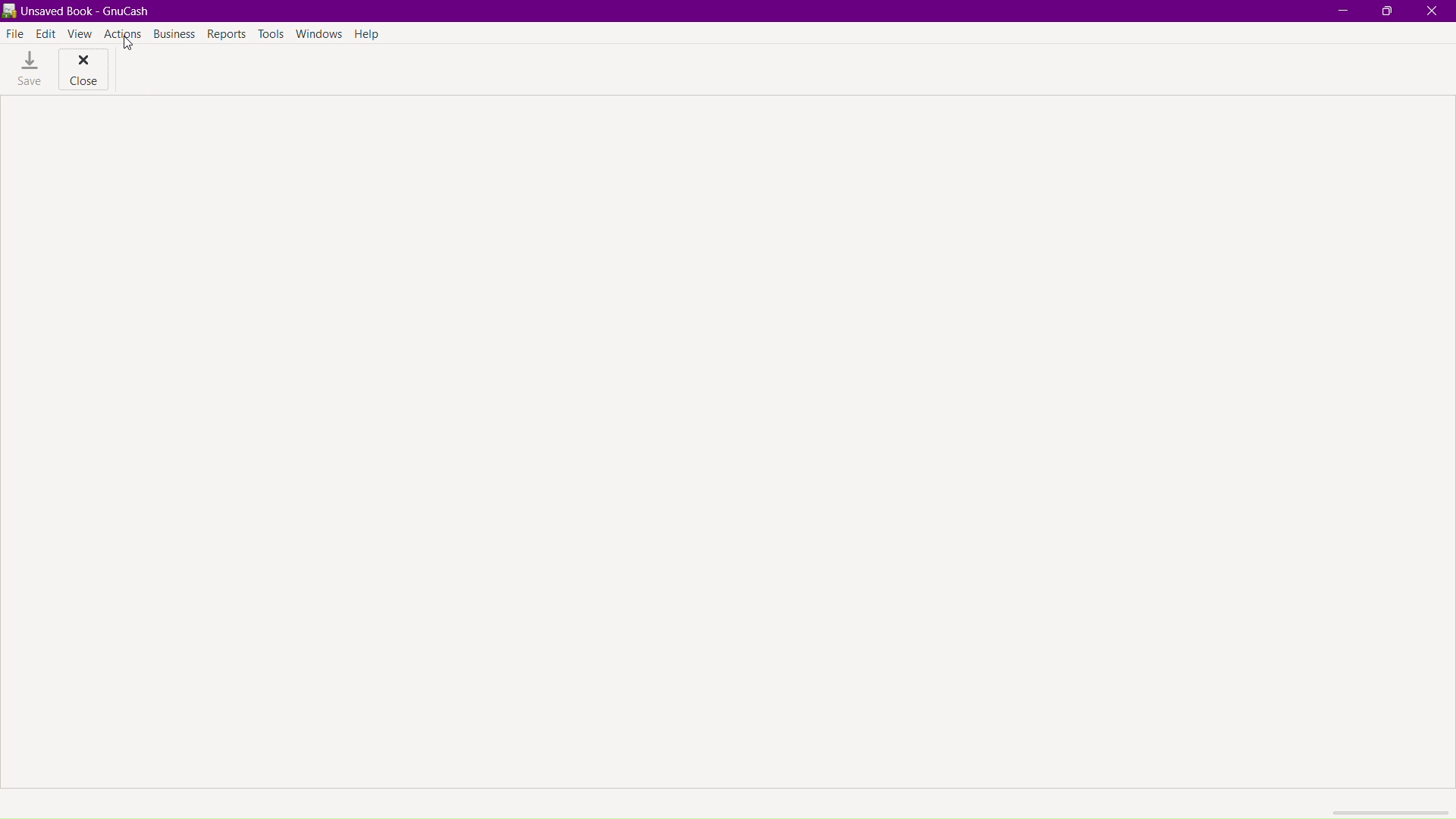 This screenshot has height=819, width=1456. I want to click on Close, so click(81, 71).